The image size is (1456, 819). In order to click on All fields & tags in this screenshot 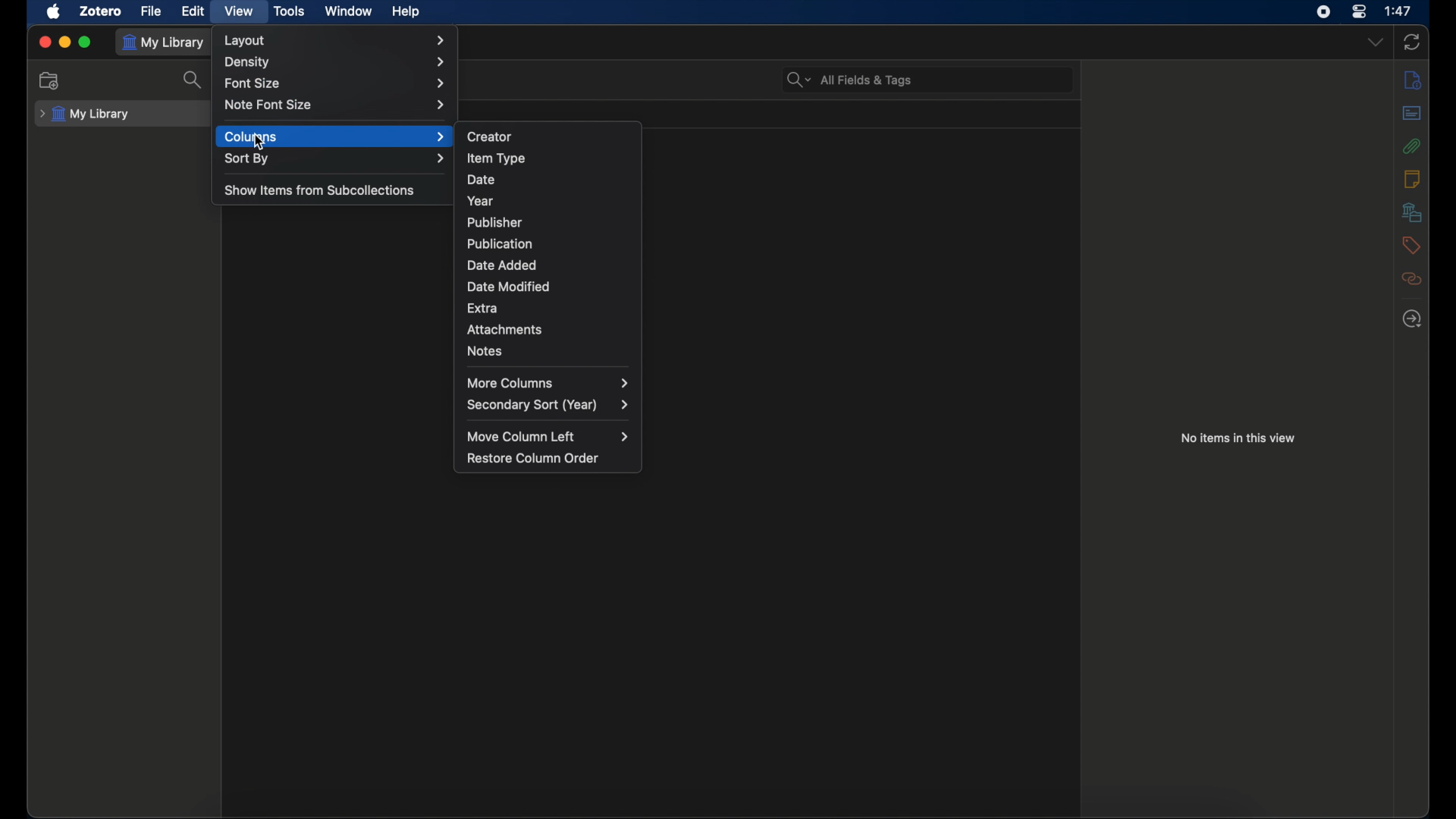, I will do `click(849, 80)`.